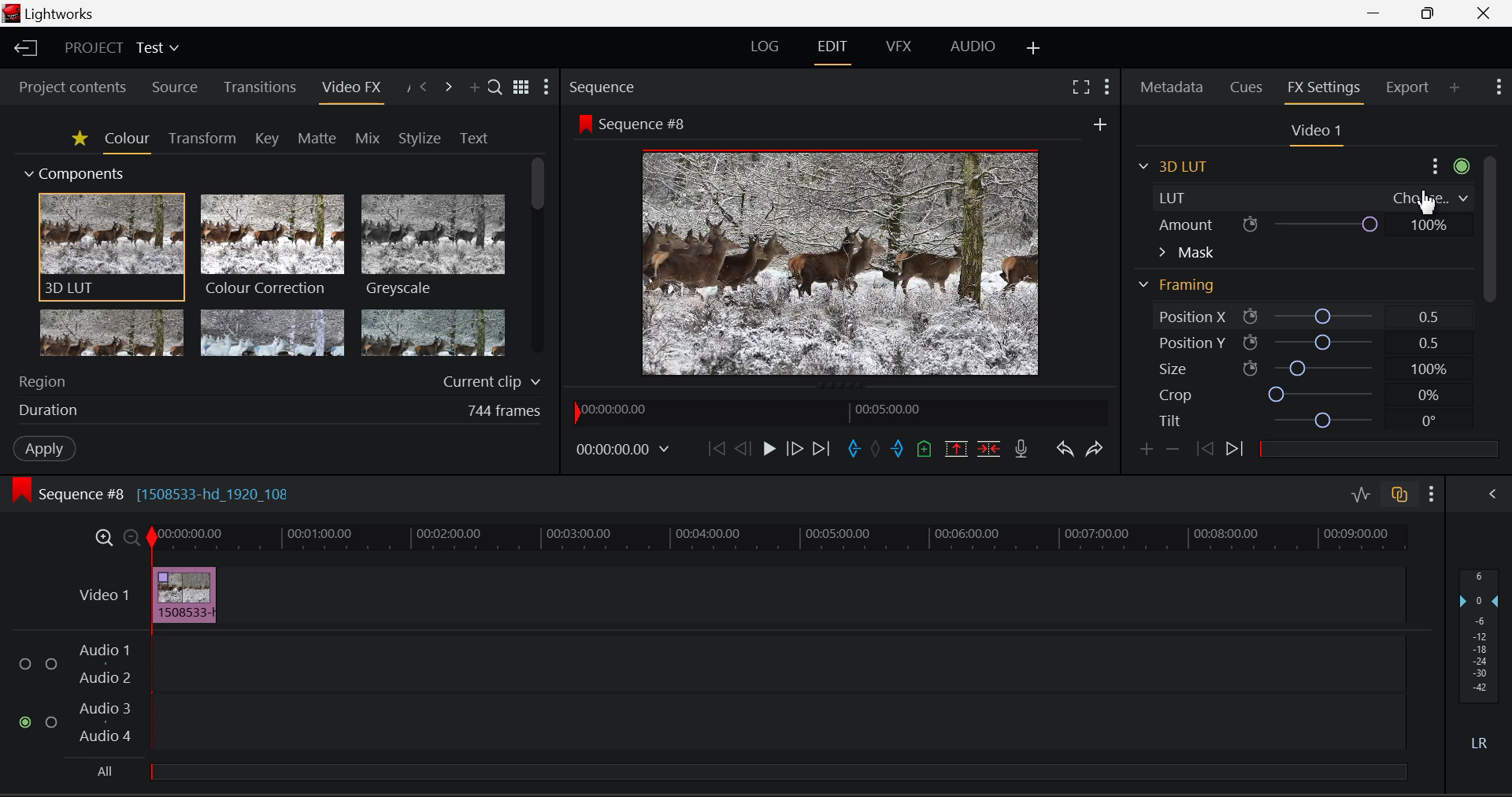  What do you see at coordinates (1205, 450) in the screenshot?
I see `Previous keyframe` at bounding box center [1205, 450].